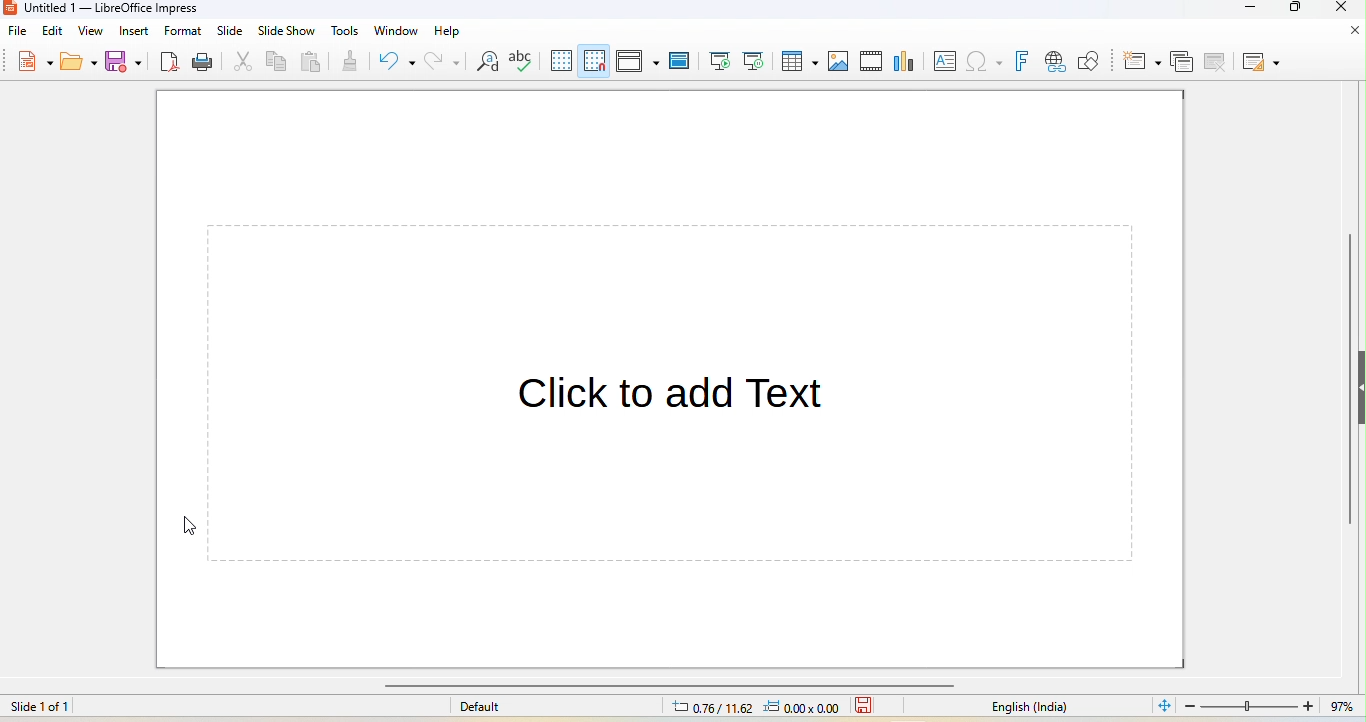  What do you see at coordinates (639, 61) in the screenshot?
I see `display views` at bounding box center [639, 61].